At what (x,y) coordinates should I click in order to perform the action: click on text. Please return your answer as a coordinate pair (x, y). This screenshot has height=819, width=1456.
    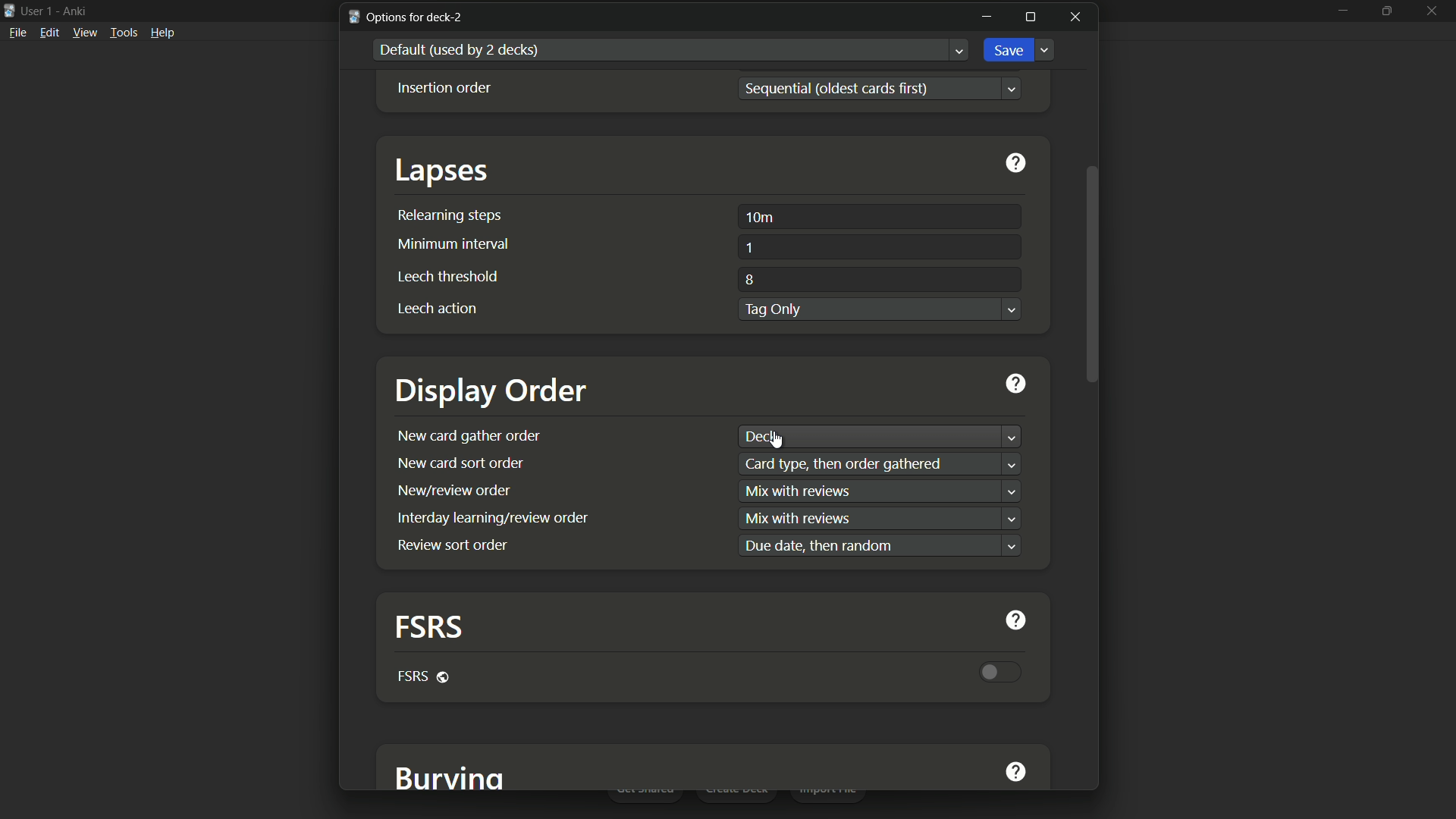
    Looking at the image, I should click on (795, 492).